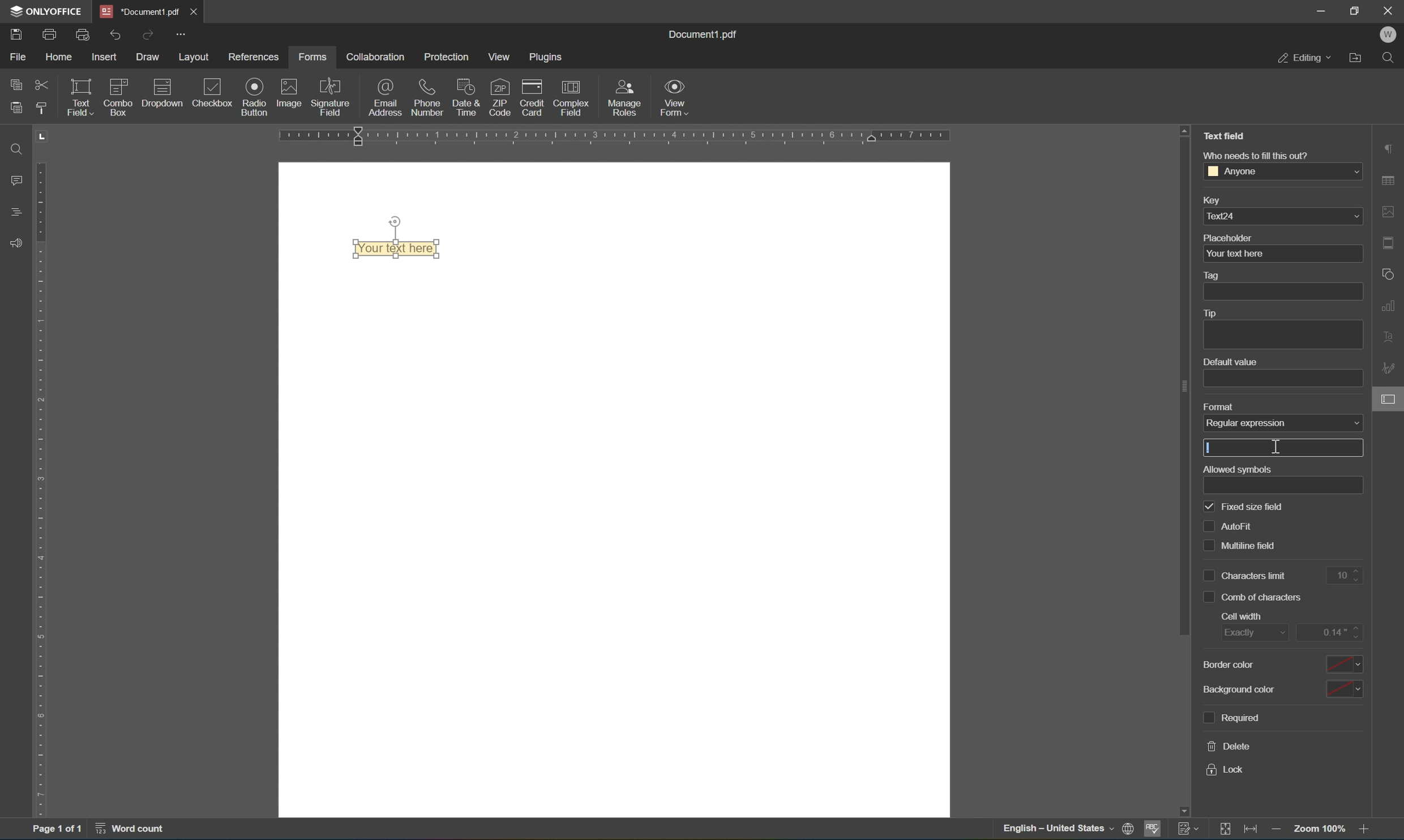 This screenshot has width=1404, height=840. What do you see at coordinates (1255, 633) in the screenshot?
I see `exactly` at bounding box center [1255, 633].